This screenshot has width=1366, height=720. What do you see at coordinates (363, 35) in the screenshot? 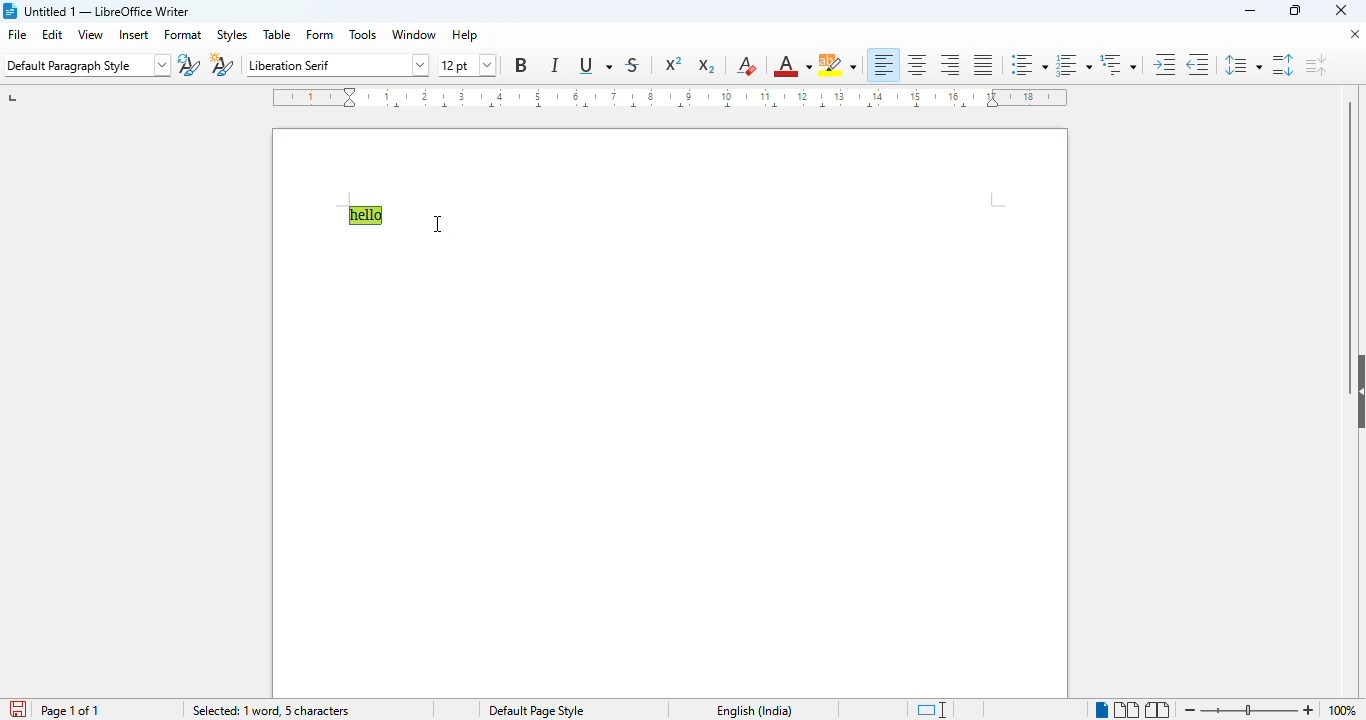
I see `tools` at bounding box center [363, 35].